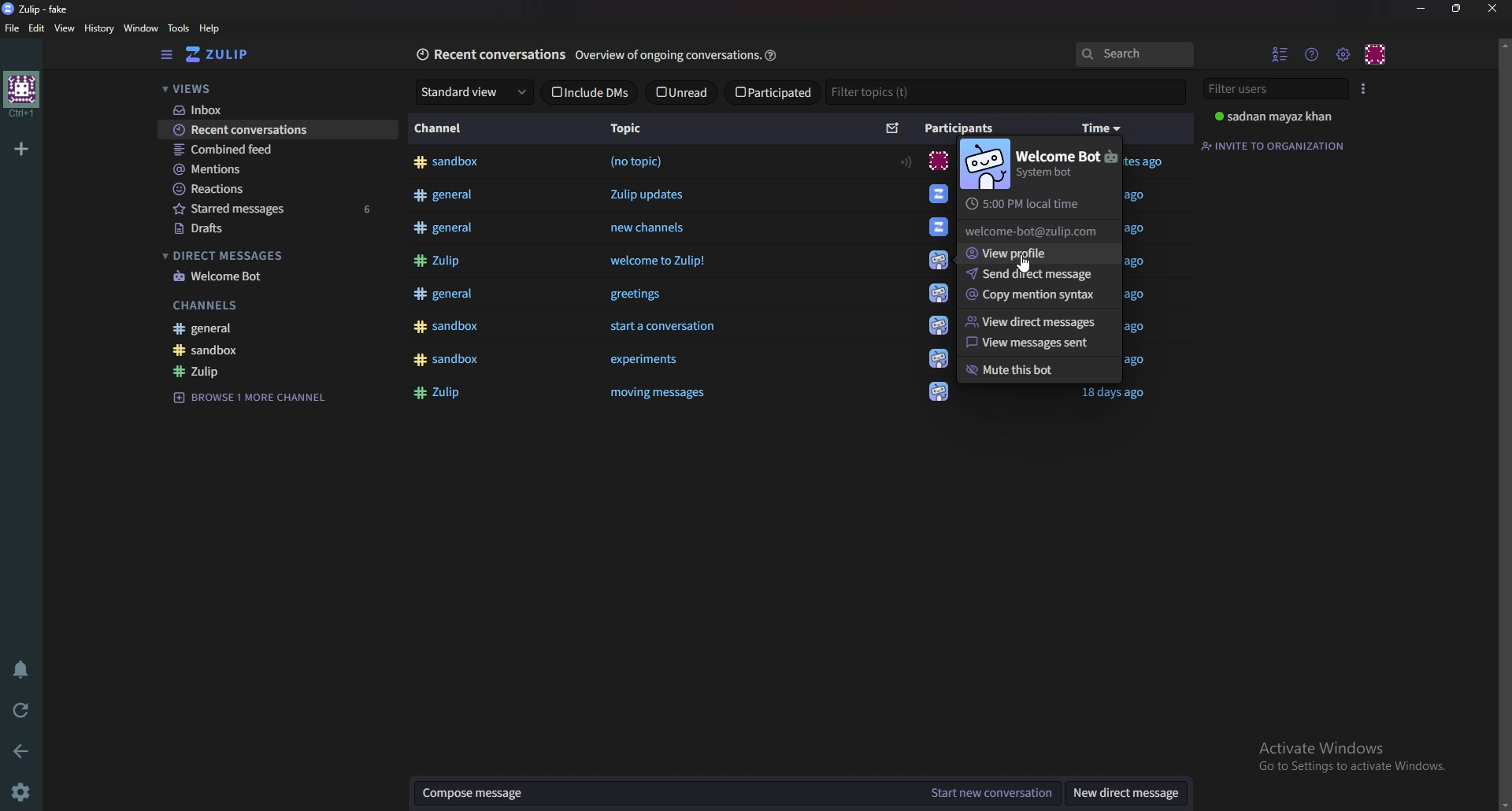  Describe the element at coordinates (664, 56) in the screenshot. I see `Overview of ongoing conversations` at that location.